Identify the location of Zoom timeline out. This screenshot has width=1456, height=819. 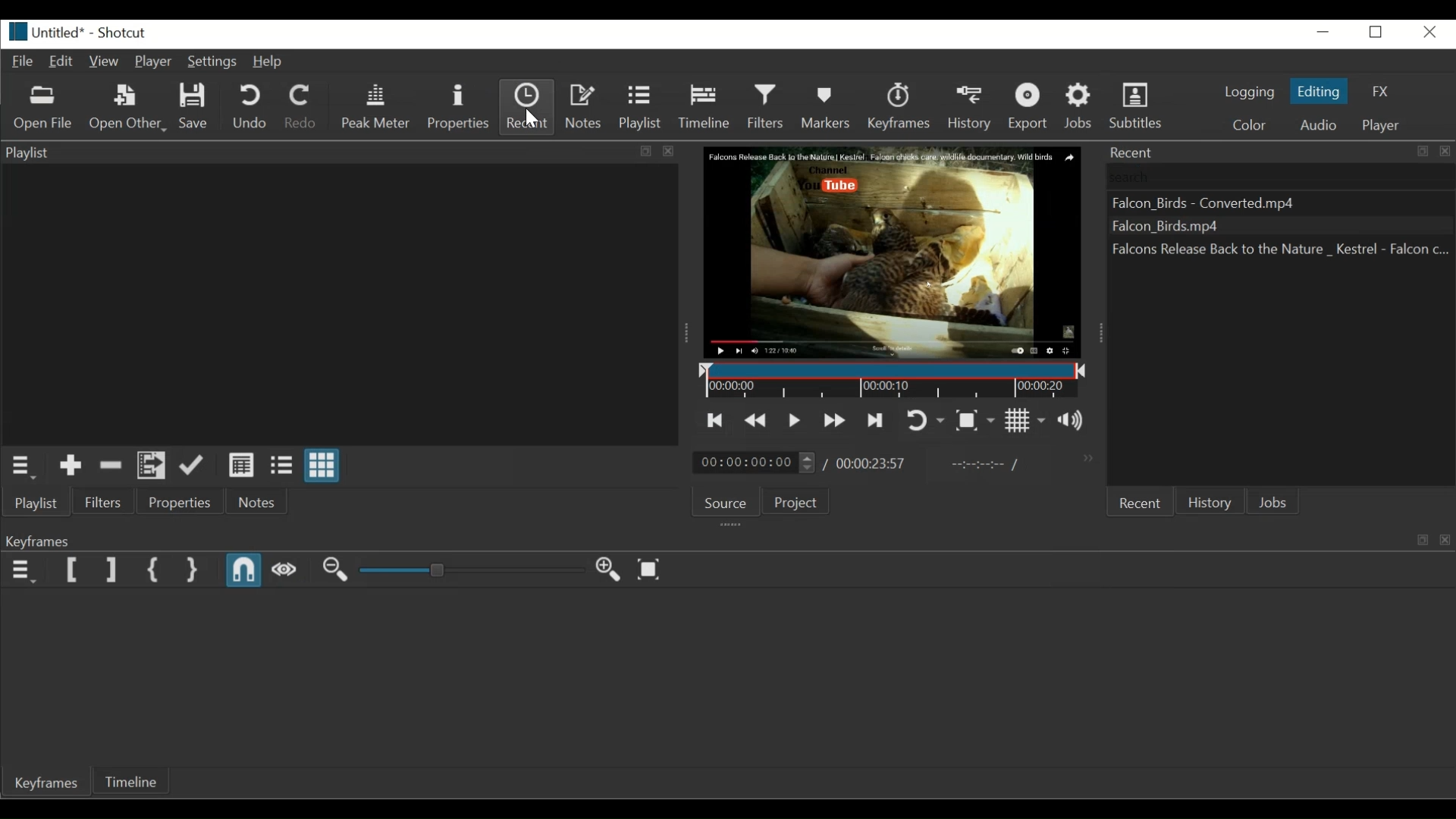
(336, 570).